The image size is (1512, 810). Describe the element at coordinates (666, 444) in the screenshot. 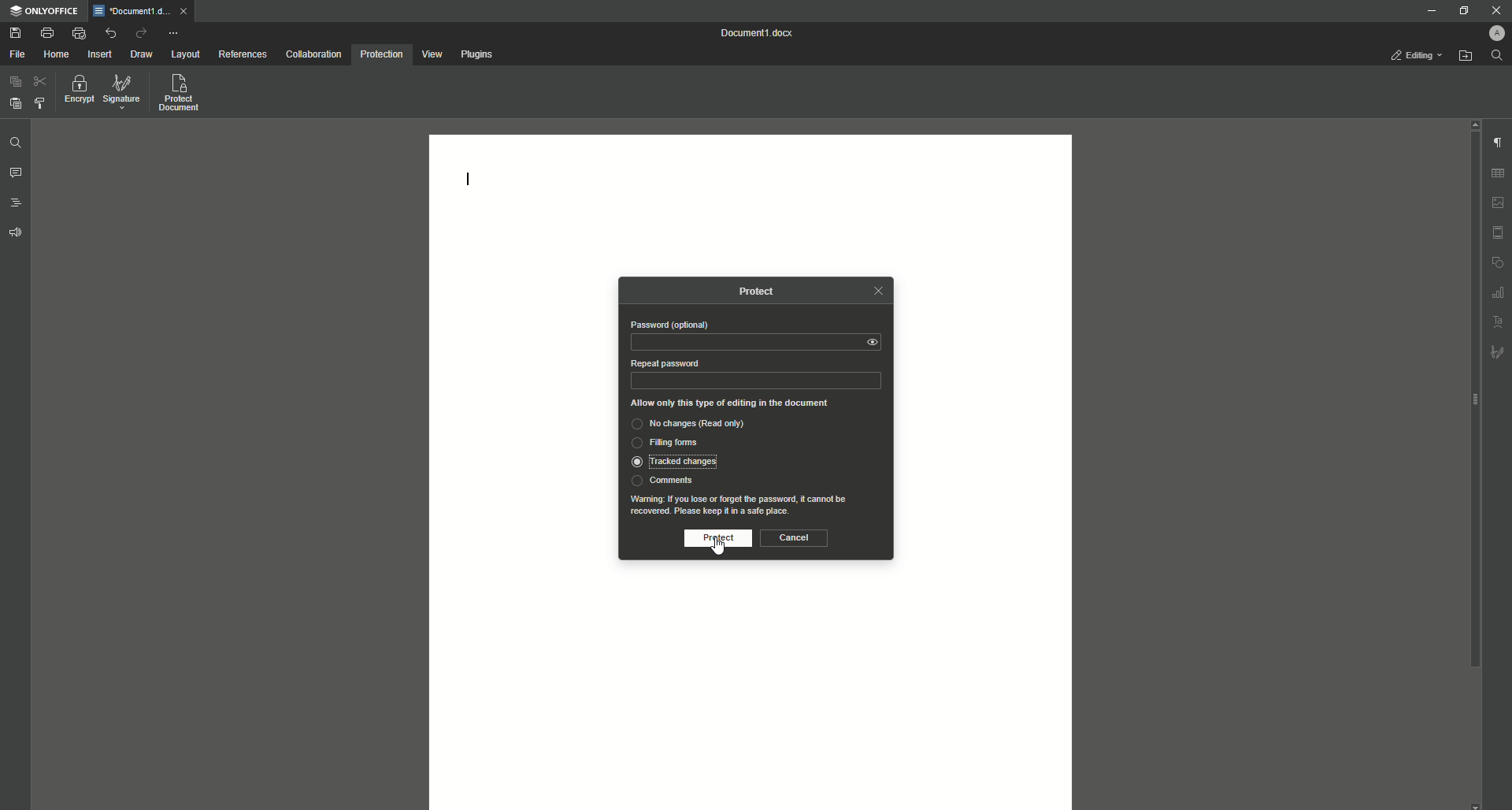

I see `Filling forms` at that location.